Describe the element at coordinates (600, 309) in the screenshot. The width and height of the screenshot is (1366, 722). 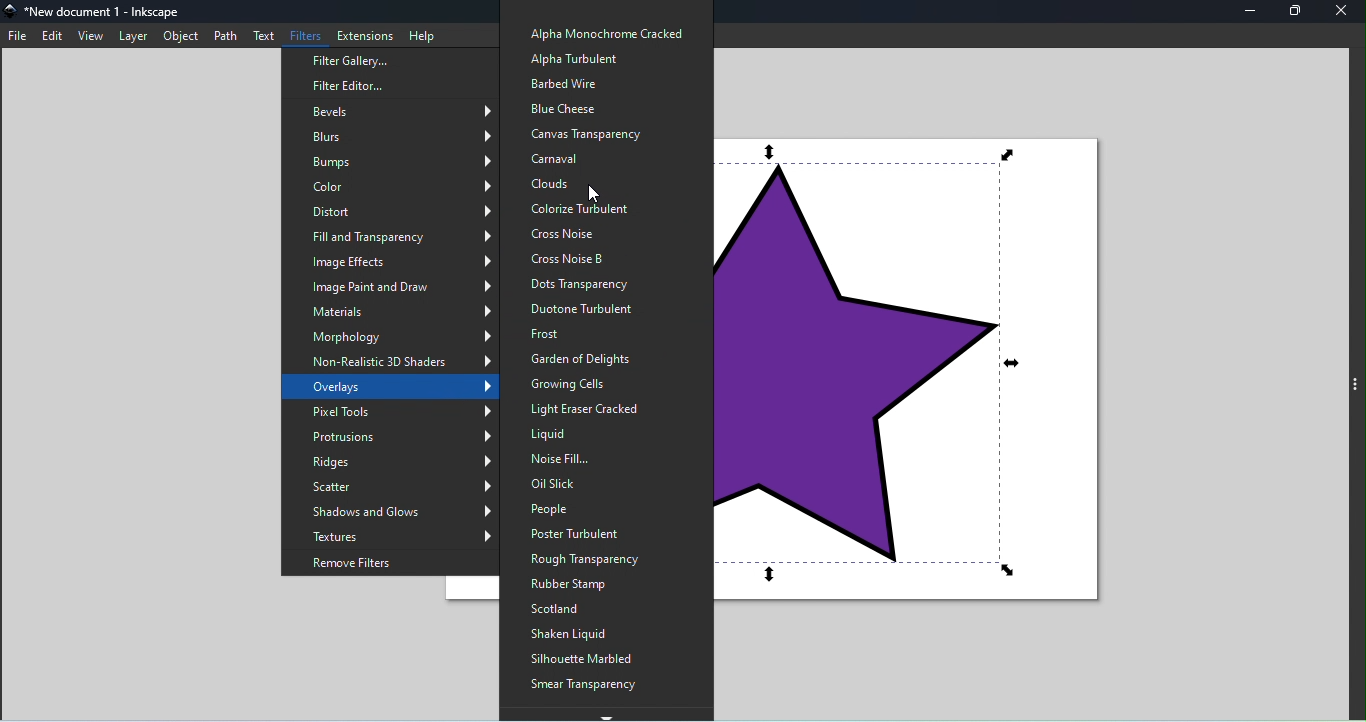
I see `Duotone turbulent` at that location.